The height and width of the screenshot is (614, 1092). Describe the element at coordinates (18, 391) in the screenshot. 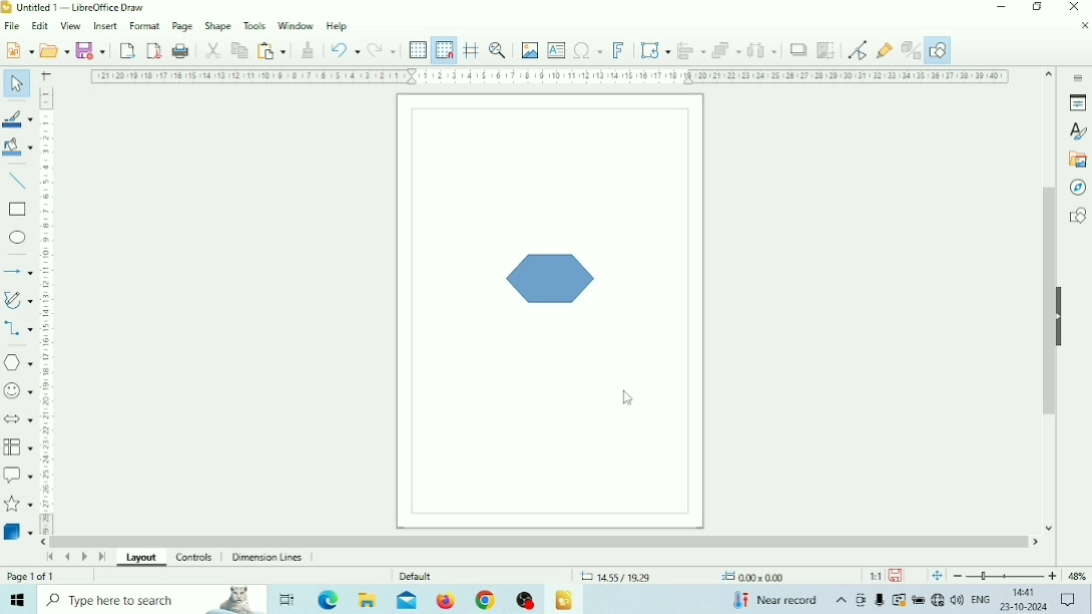

I see `Symbol Shapes` at that location.